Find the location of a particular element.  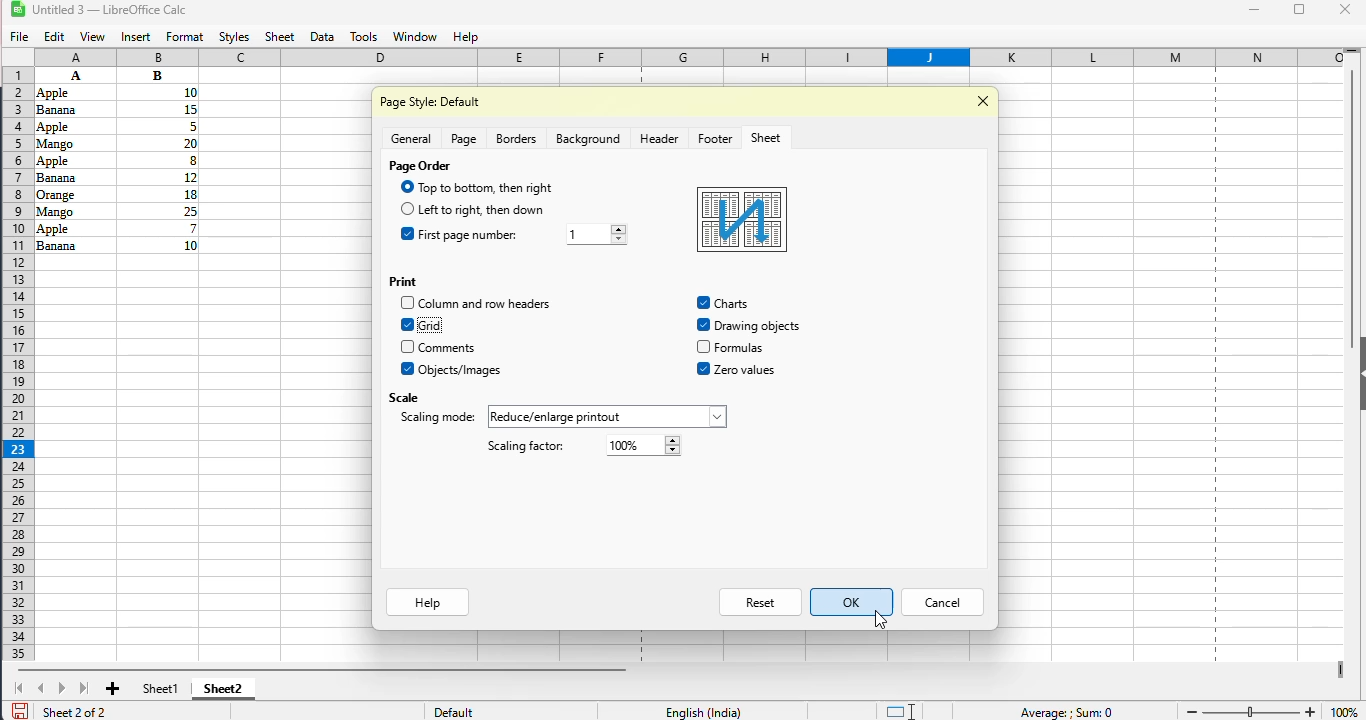

print is located at coordinates (402, 281).